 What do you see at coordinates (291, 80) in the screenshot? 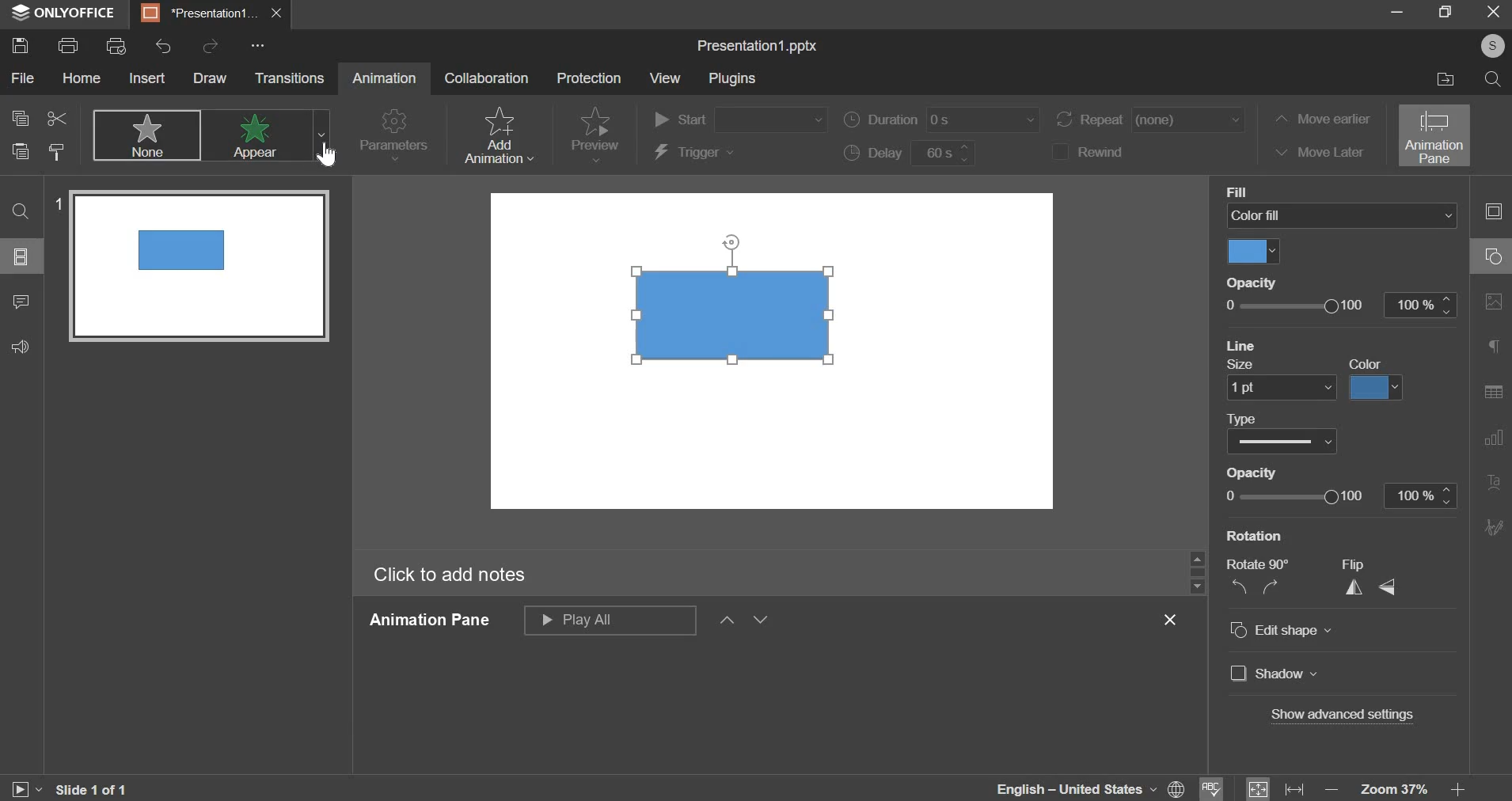
I see `transitions` at bounding box center [291, 80].